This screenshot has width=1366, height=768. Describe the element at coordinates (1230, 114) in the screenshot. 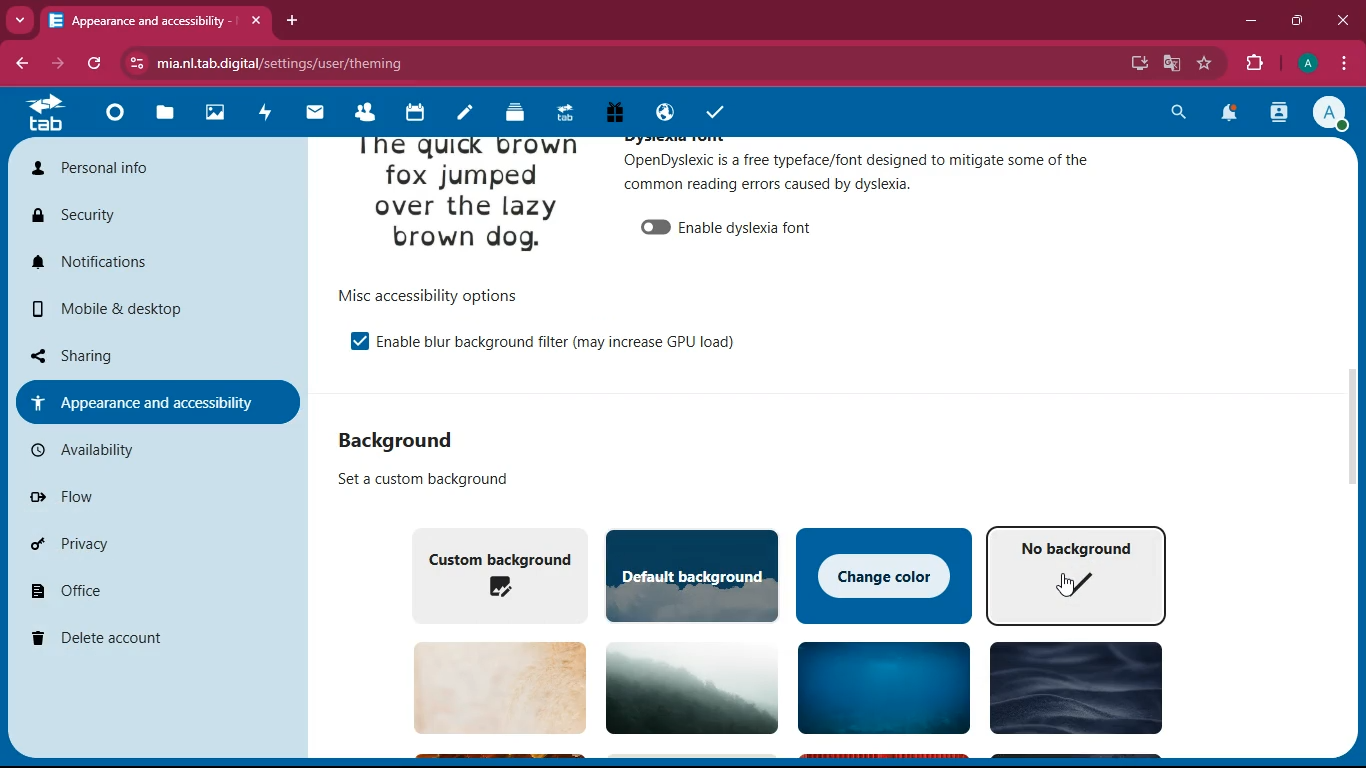

I see `notifications` at that location.